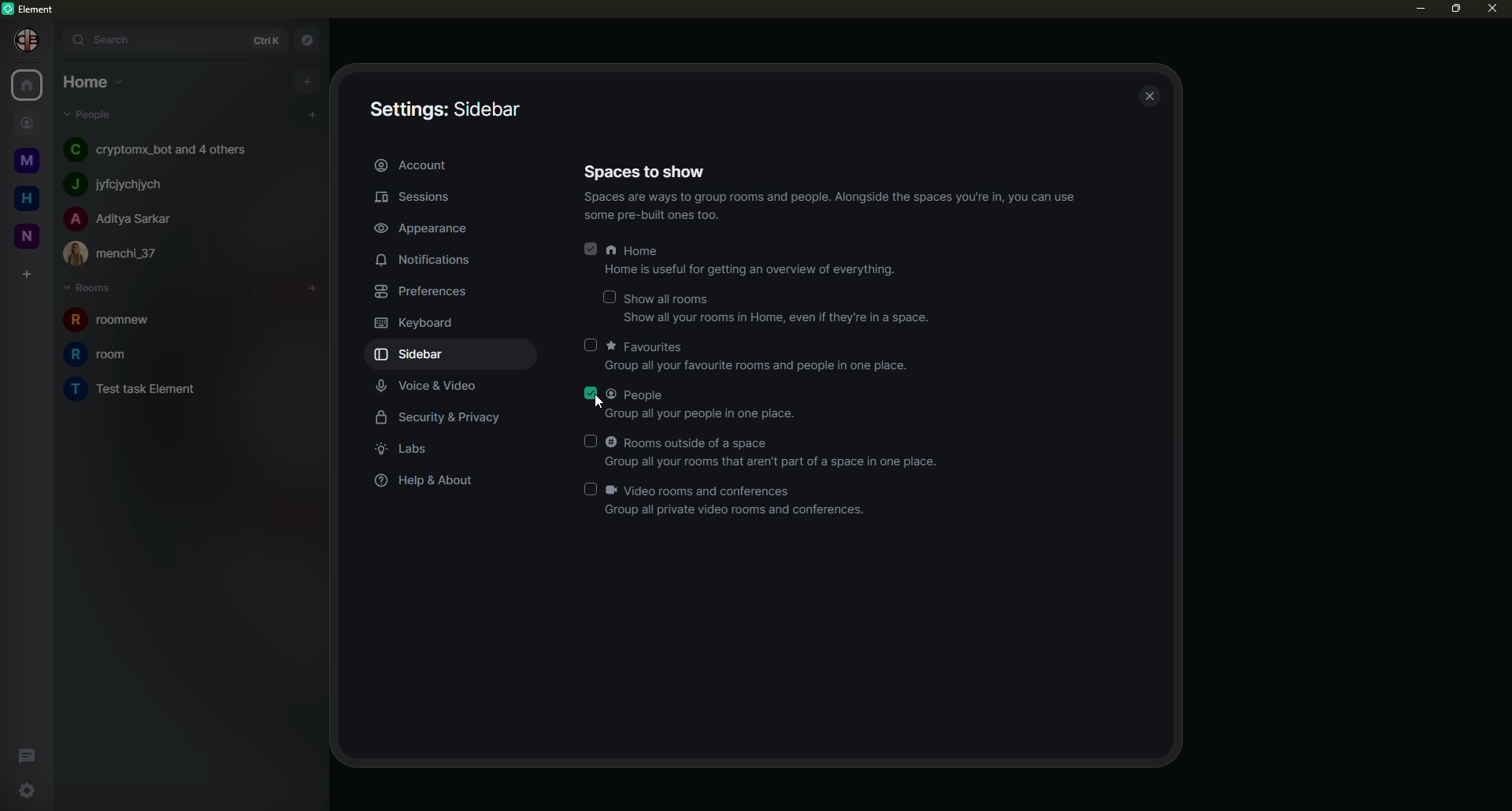 This screenshot has width=1512, height=811. Describe the element at coordinates (417, 323) in the screenshot. I see `keyboard` at that location.